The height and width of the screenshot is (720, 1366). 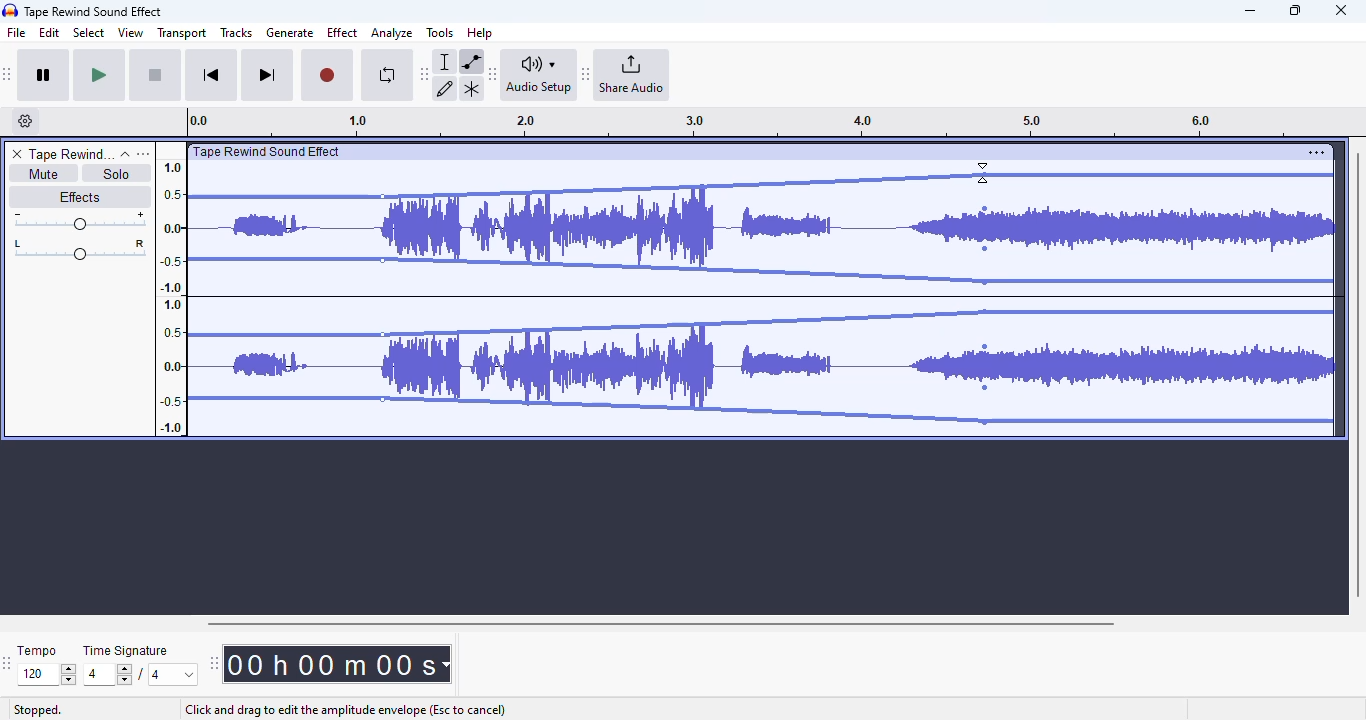 I want to click on Control point, so click(x=382, y=260).